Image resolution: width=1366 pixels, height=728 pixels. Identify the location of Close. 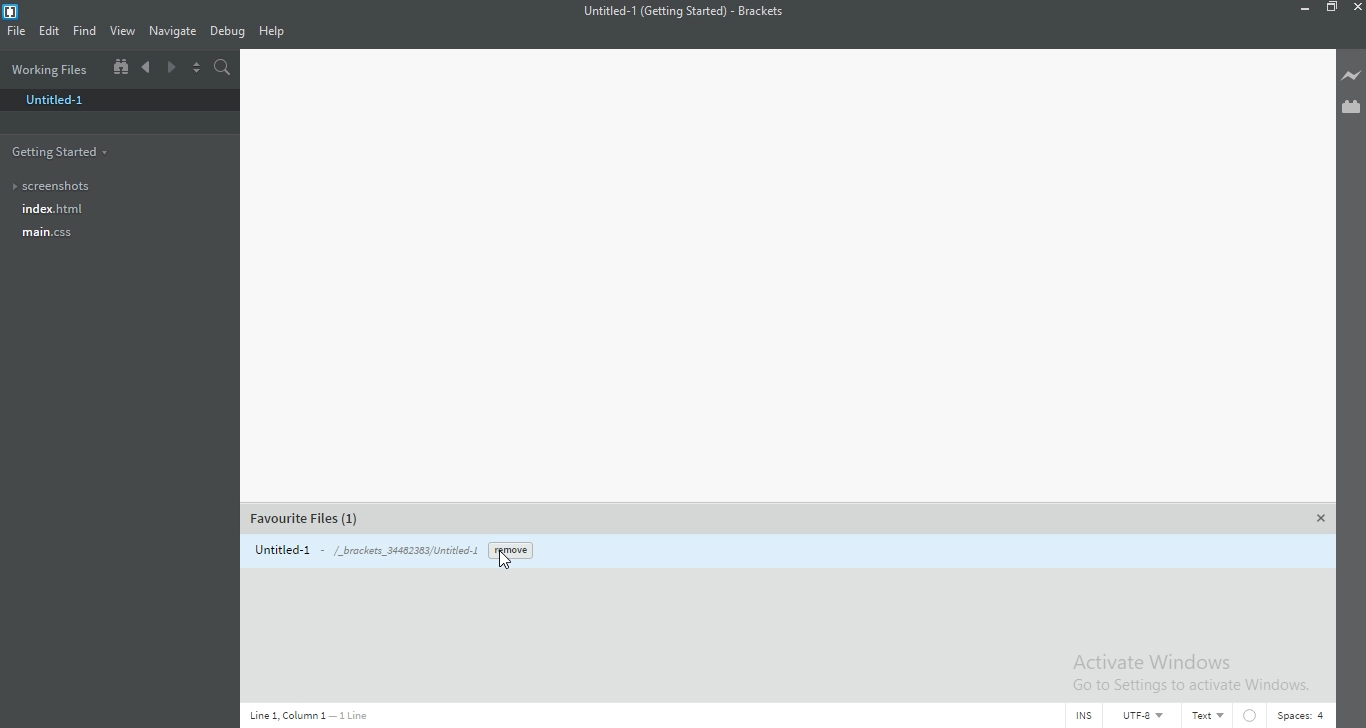
(1323, 518).